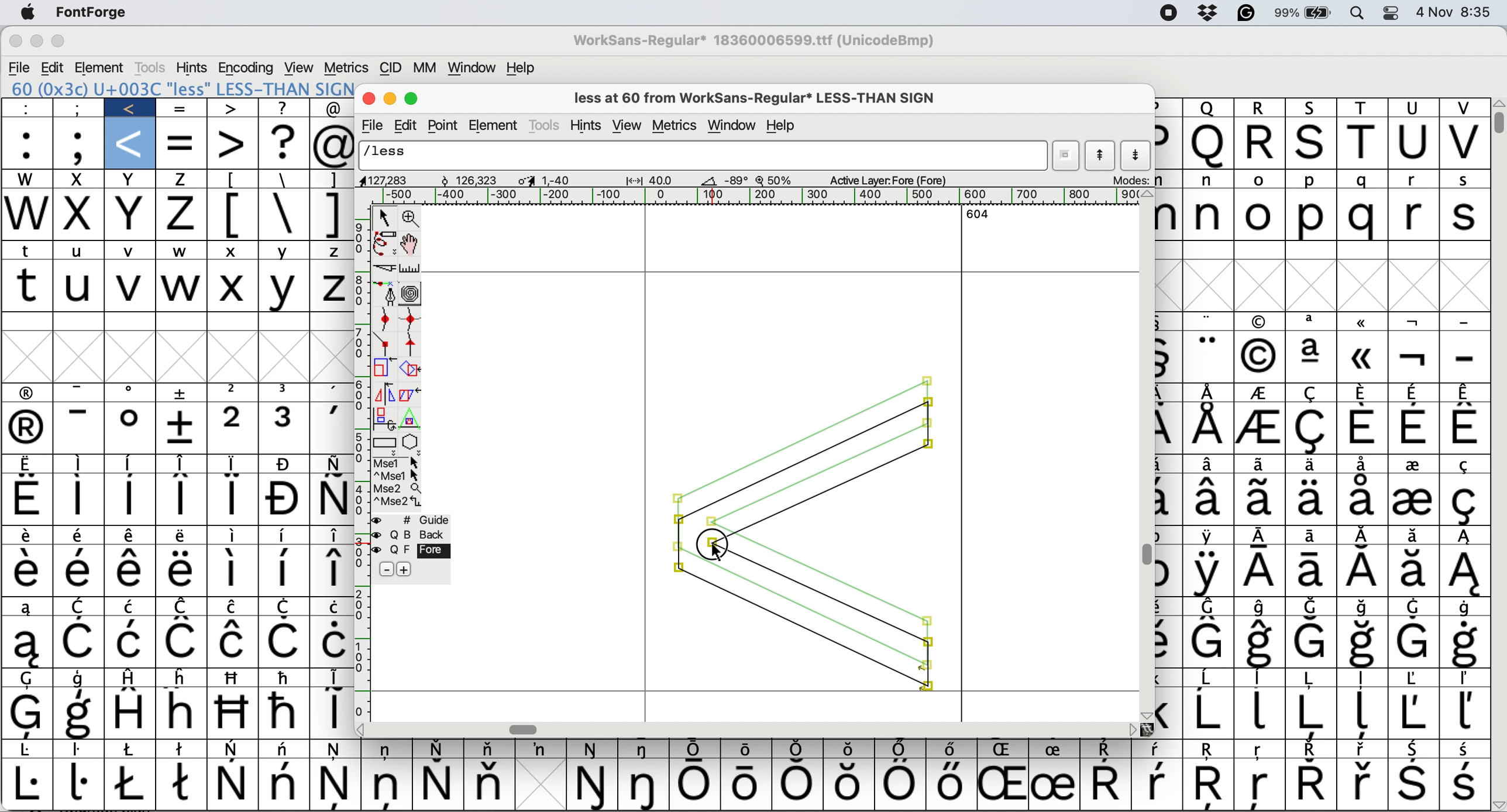 The height and width of the screenshot is (812, 1507). What do you see at coordinates (747, 749) in the screenshot?
I see `Symbol` at bounding box center [747, 749].